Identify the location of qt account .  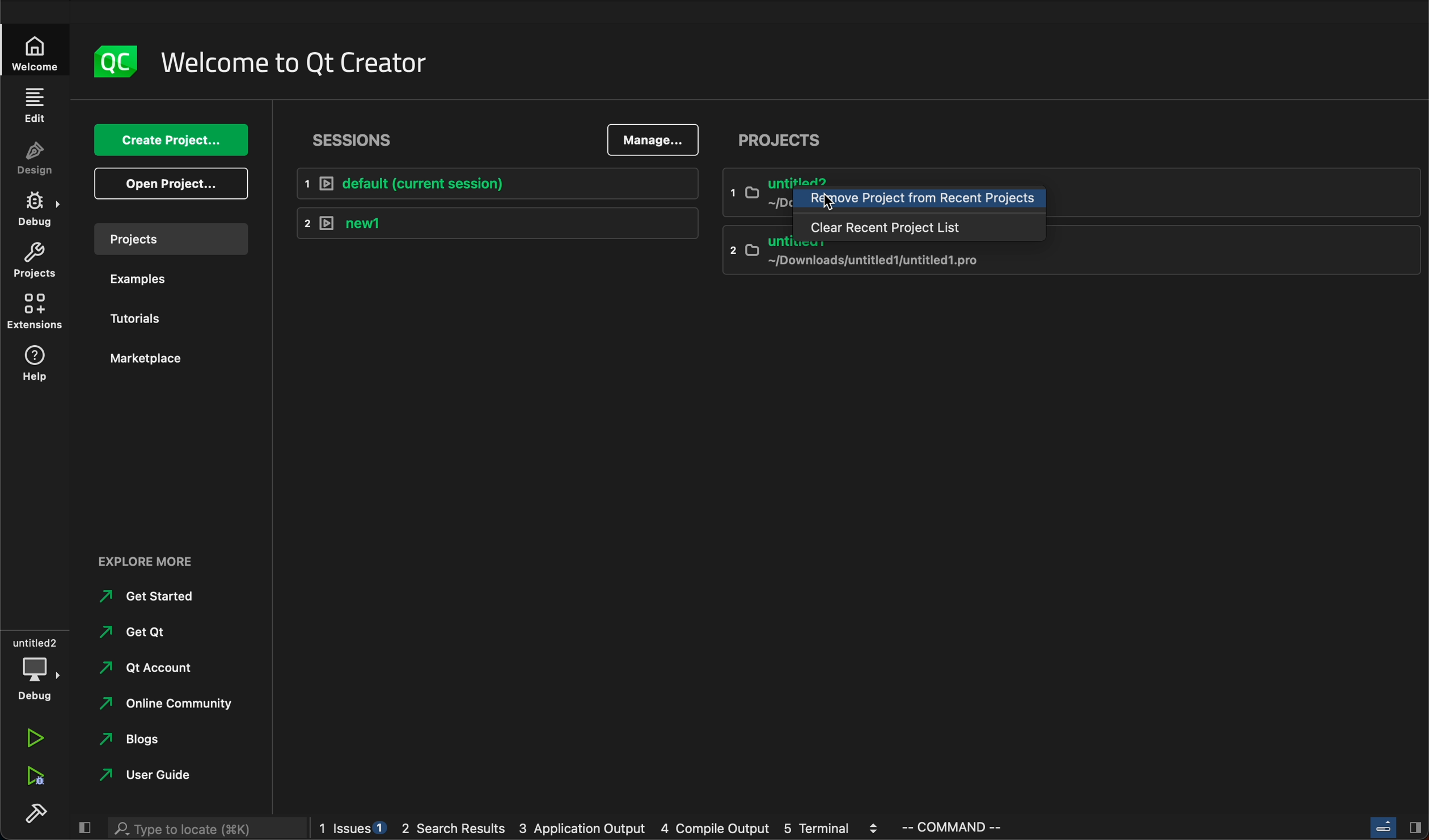
(158, 668).